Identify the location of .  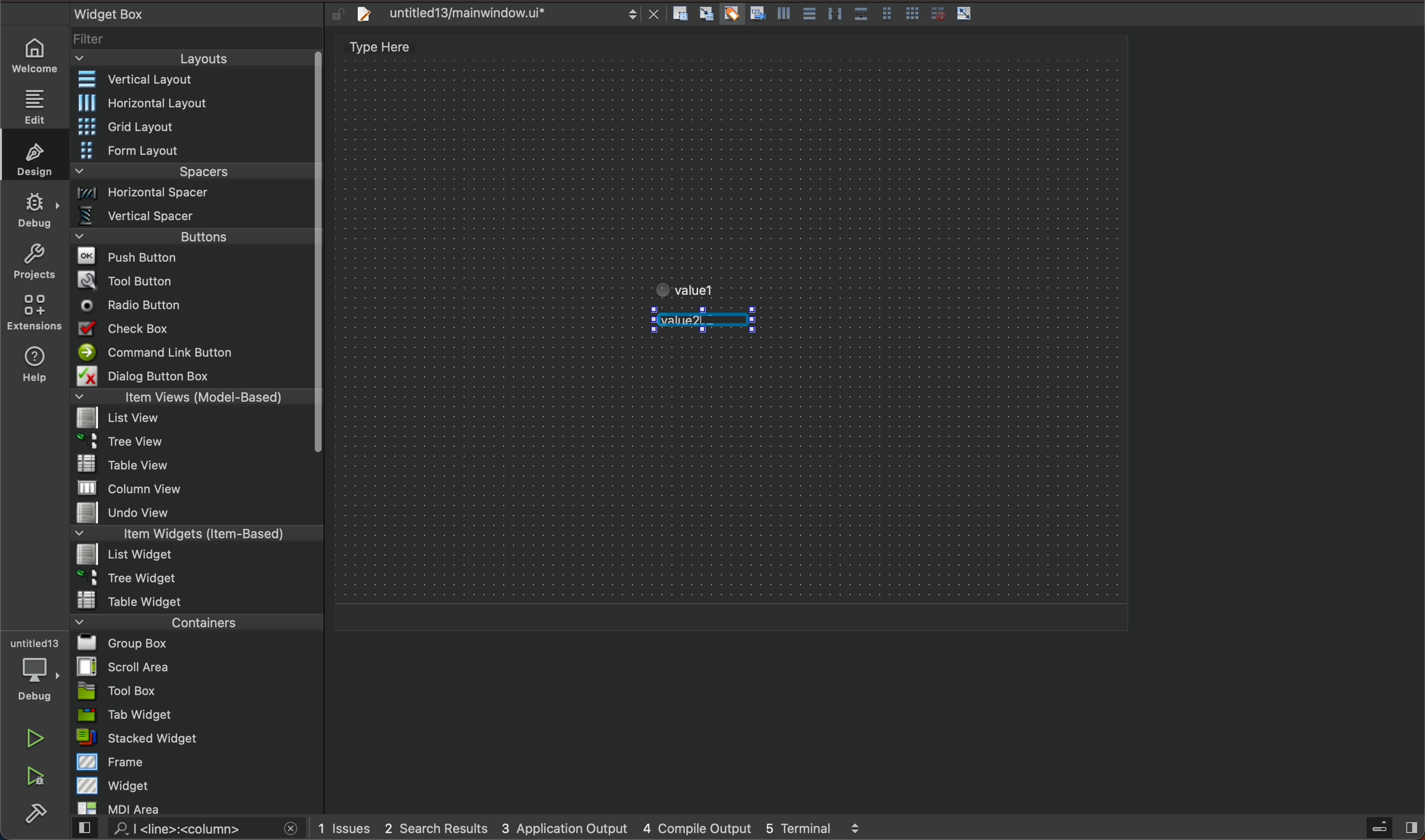
(935, 14).